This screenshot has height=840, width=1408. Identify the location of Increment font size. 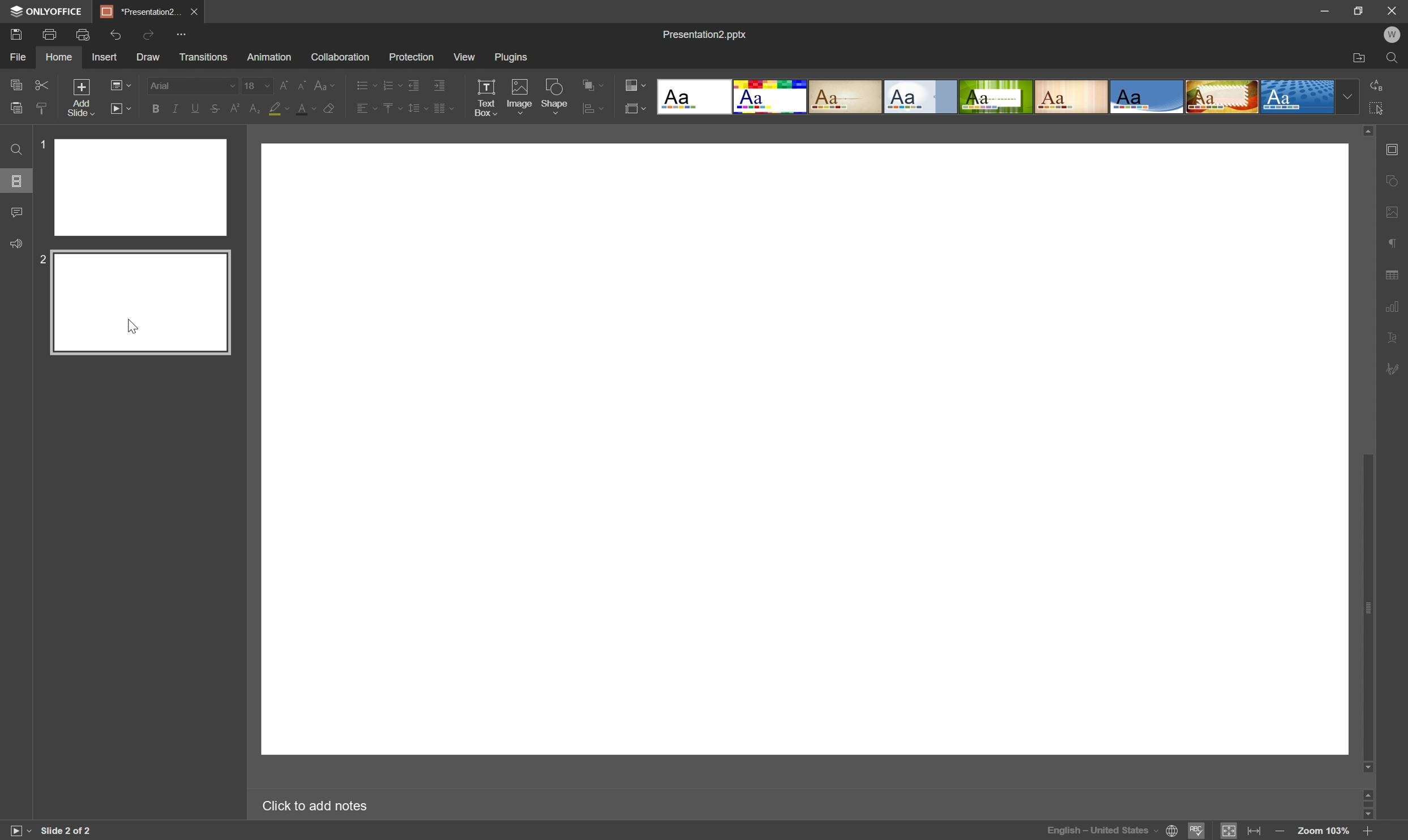
(281, 83).